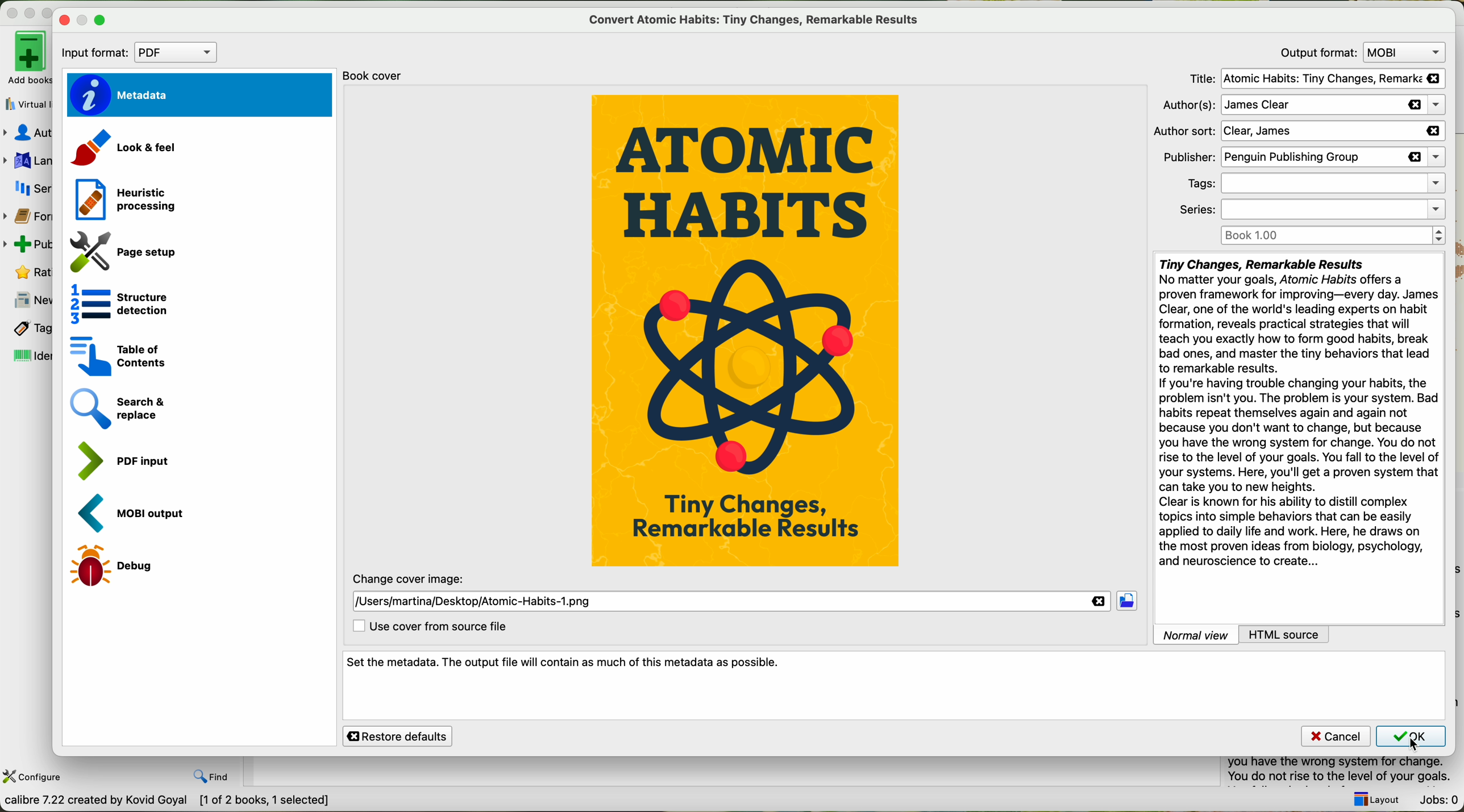 The width and height of the screenshot is (1464, 812). What do you see at coordinates (1359, 52) in the screenshot?
I see `output format: MOVI` at bounding box center [1359, 52].